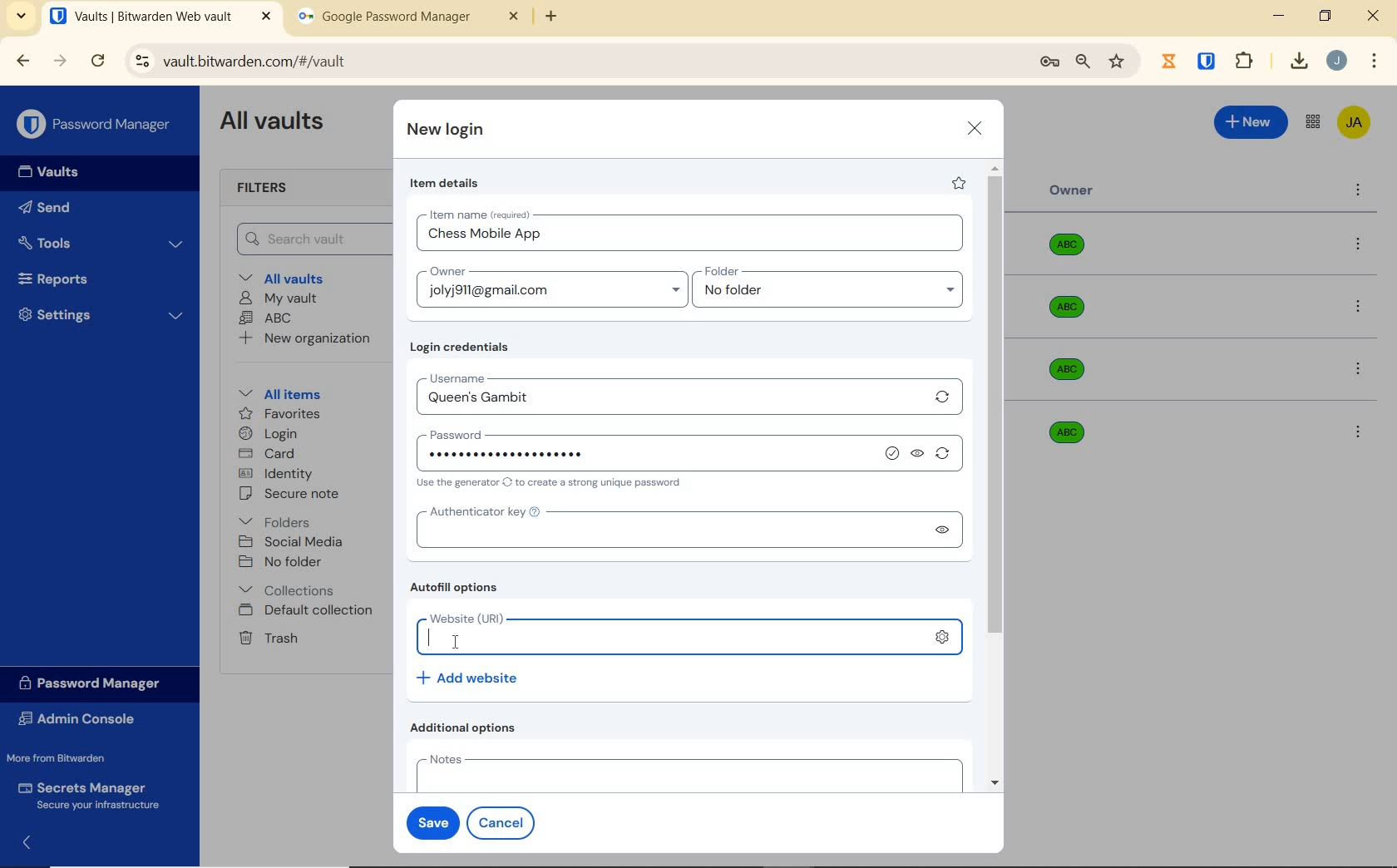 The width and height of the screenshot is (1397, 868). I want to click on no folder, so click(834, 294).